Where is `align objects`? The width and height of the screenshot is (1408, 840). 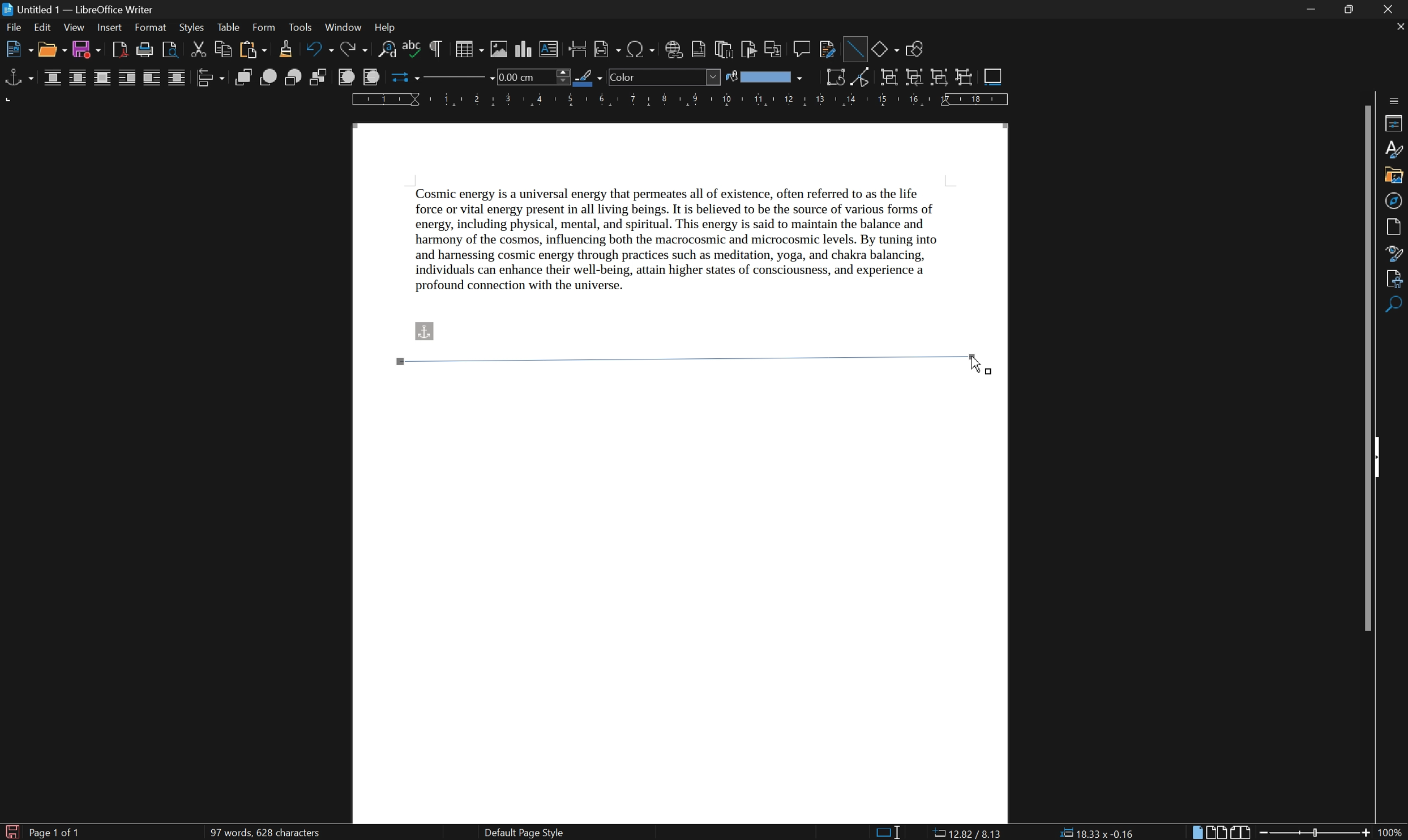 align objects is located at coordinates (209, 78).